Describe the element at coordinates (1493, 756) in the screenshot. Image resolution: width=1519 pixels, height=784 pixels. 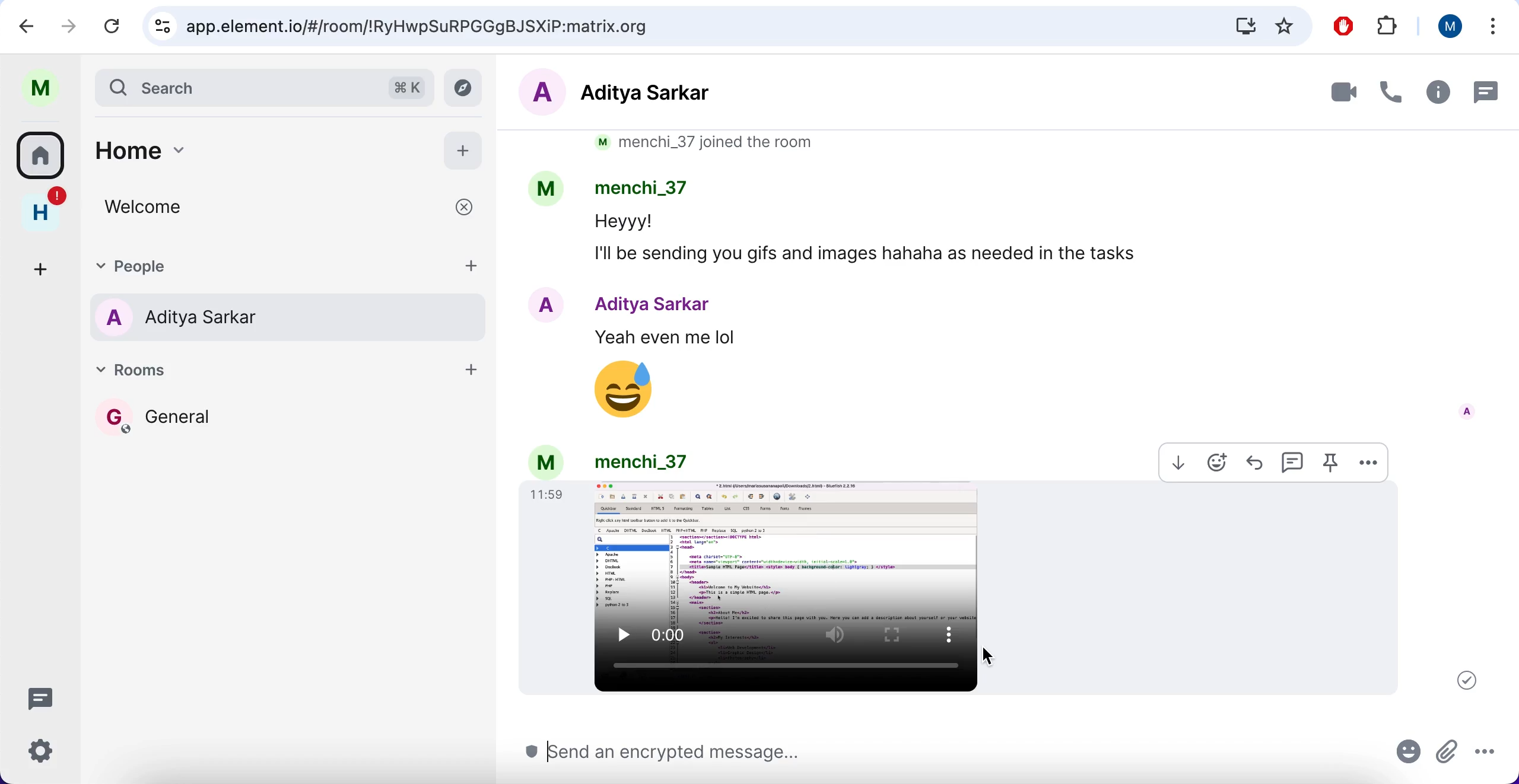
I see `options` at that location.